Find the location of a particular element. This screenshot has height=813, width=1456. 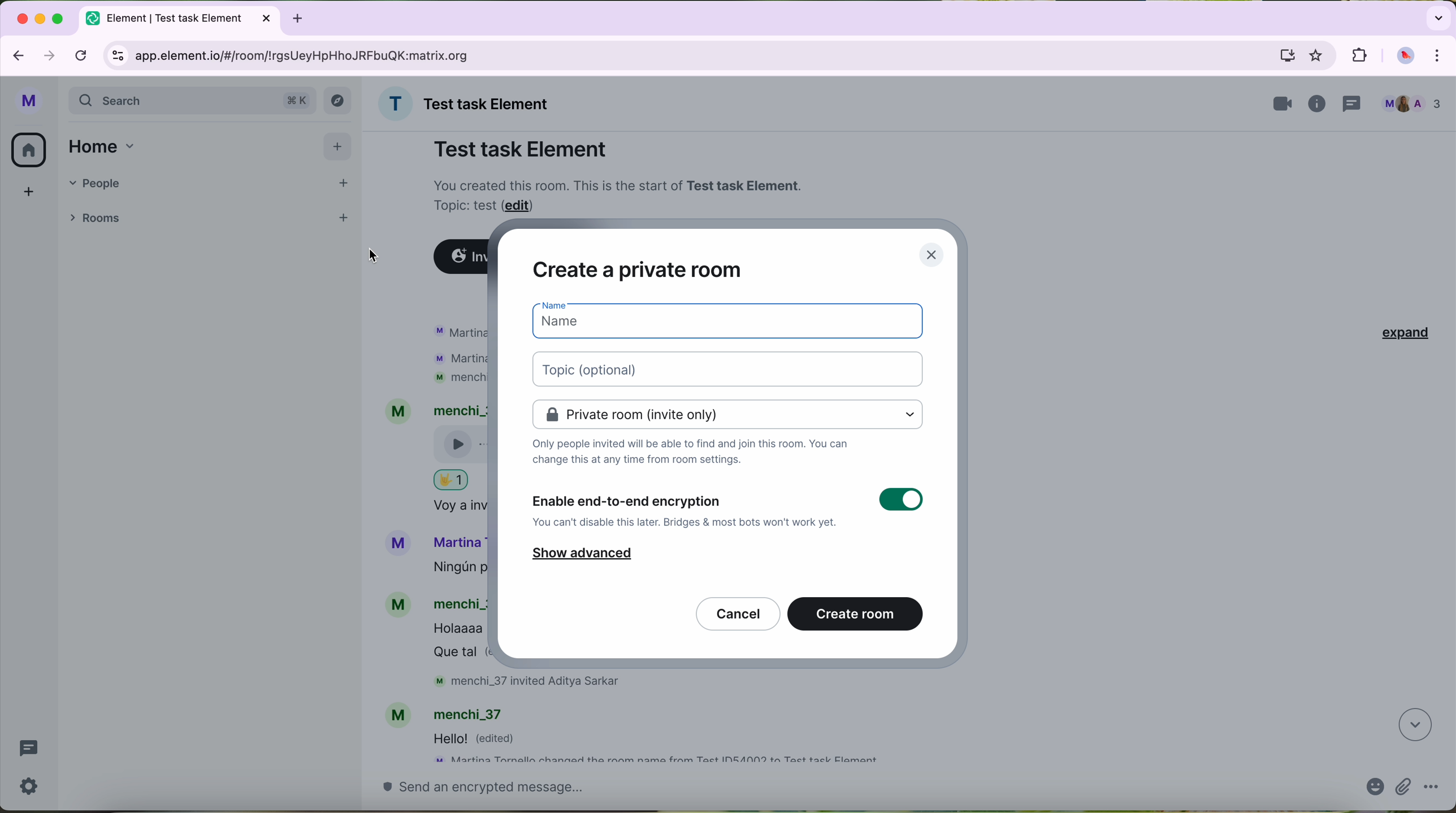

URL is located at coordinates (313, 55).